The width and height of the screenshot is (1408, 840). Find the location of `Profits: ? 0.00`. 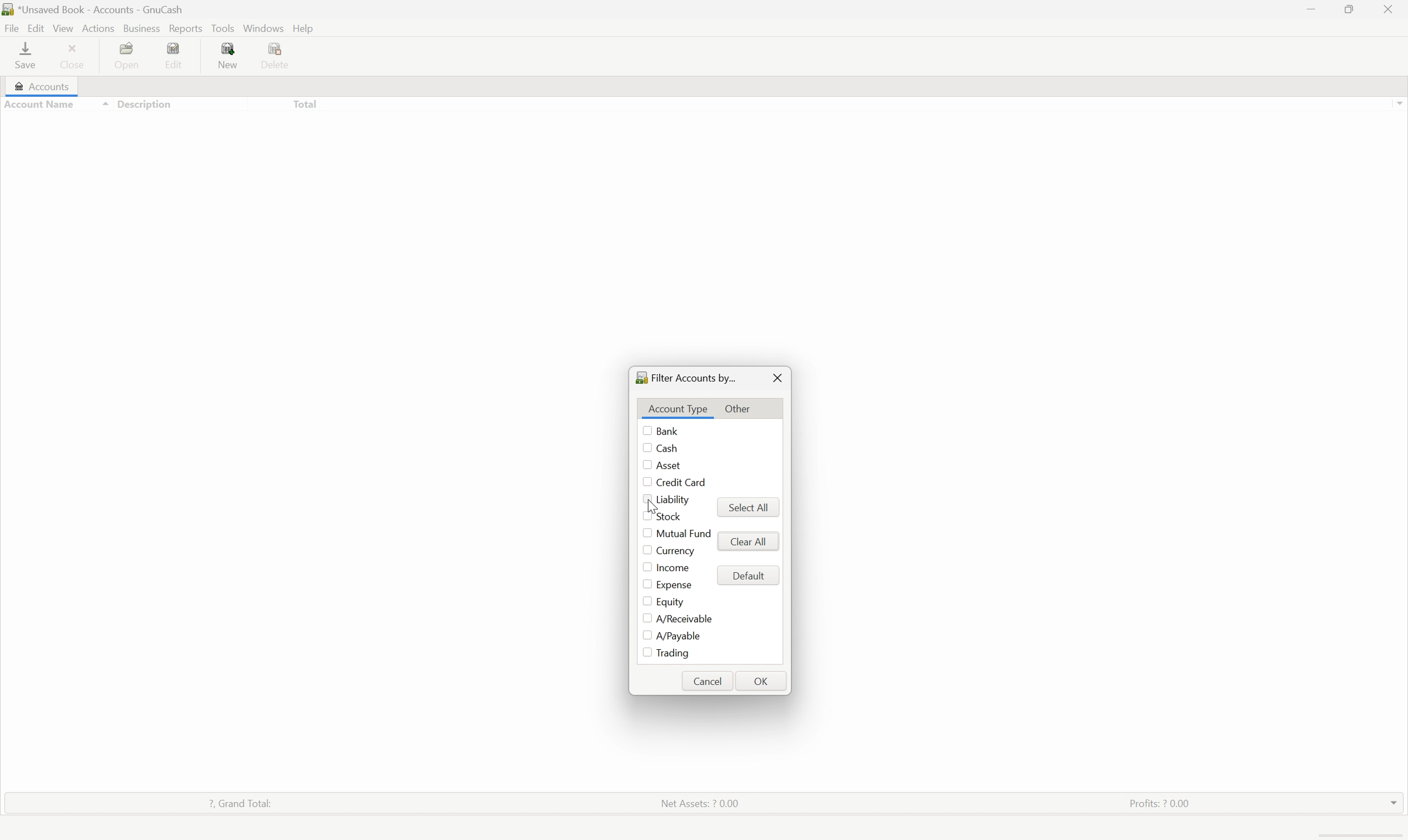

Profits: ? 0.00 is located at coordinates (1158, 803).